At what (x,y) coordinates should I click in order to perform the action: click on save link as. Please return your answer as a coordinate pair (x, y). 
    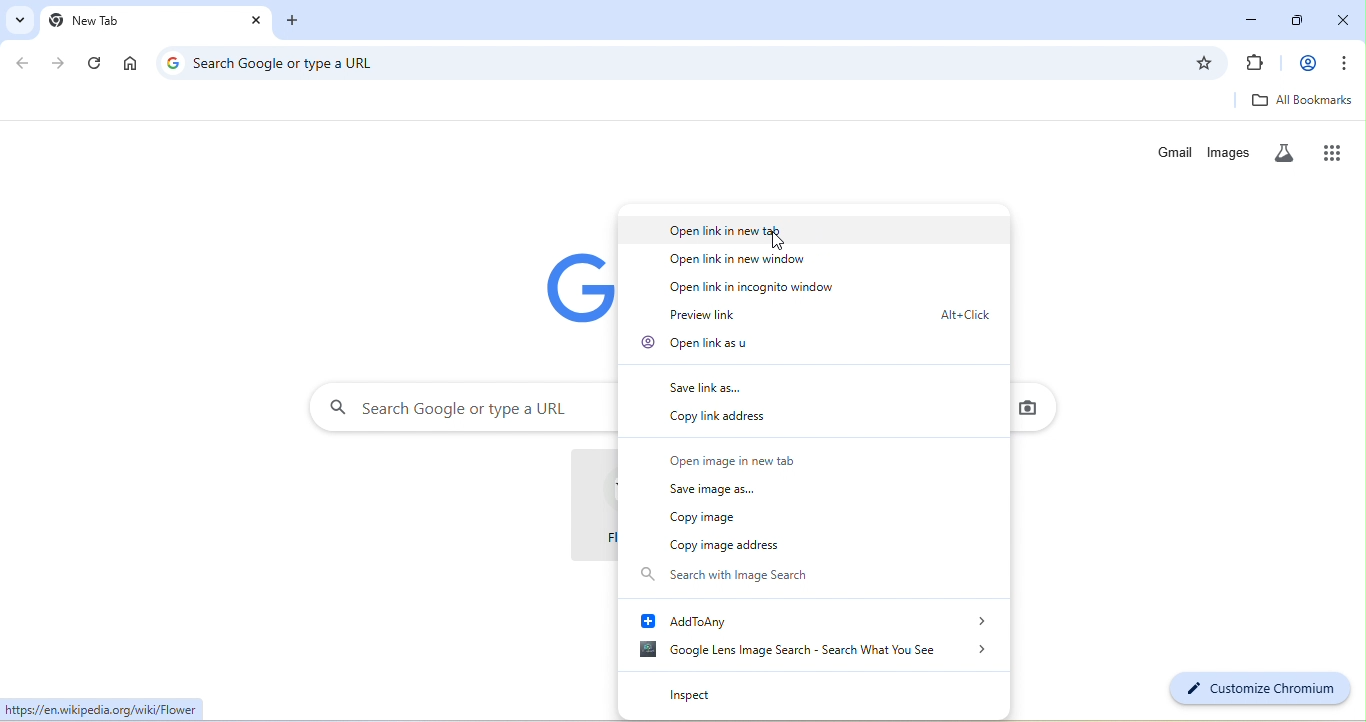
    Looking at the image, I should click on (721, 383).